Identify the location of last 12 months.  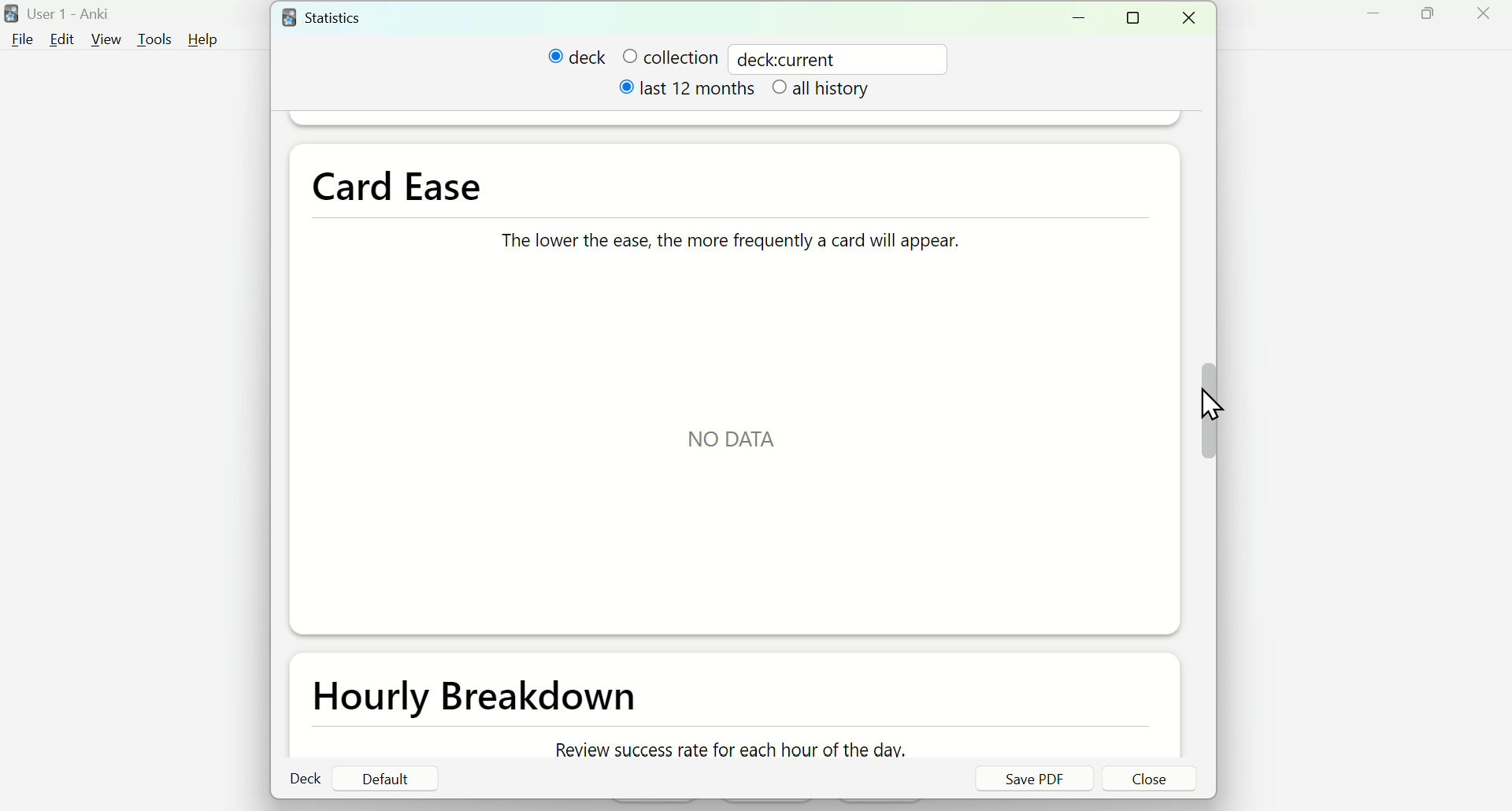
(689, 93).